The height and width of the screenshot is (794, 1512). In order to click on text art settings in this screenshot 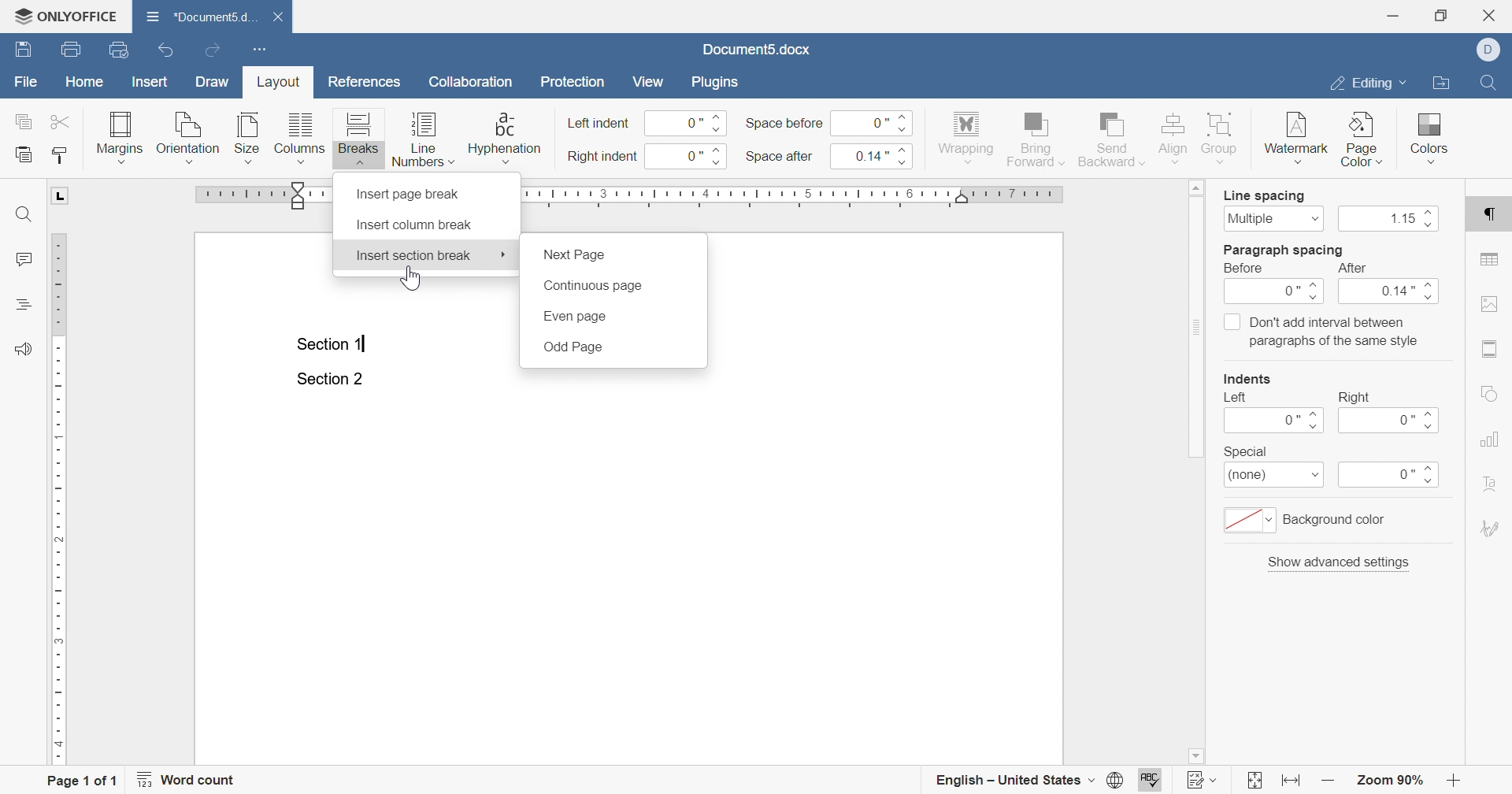, I will do `click(1488, 482)`.